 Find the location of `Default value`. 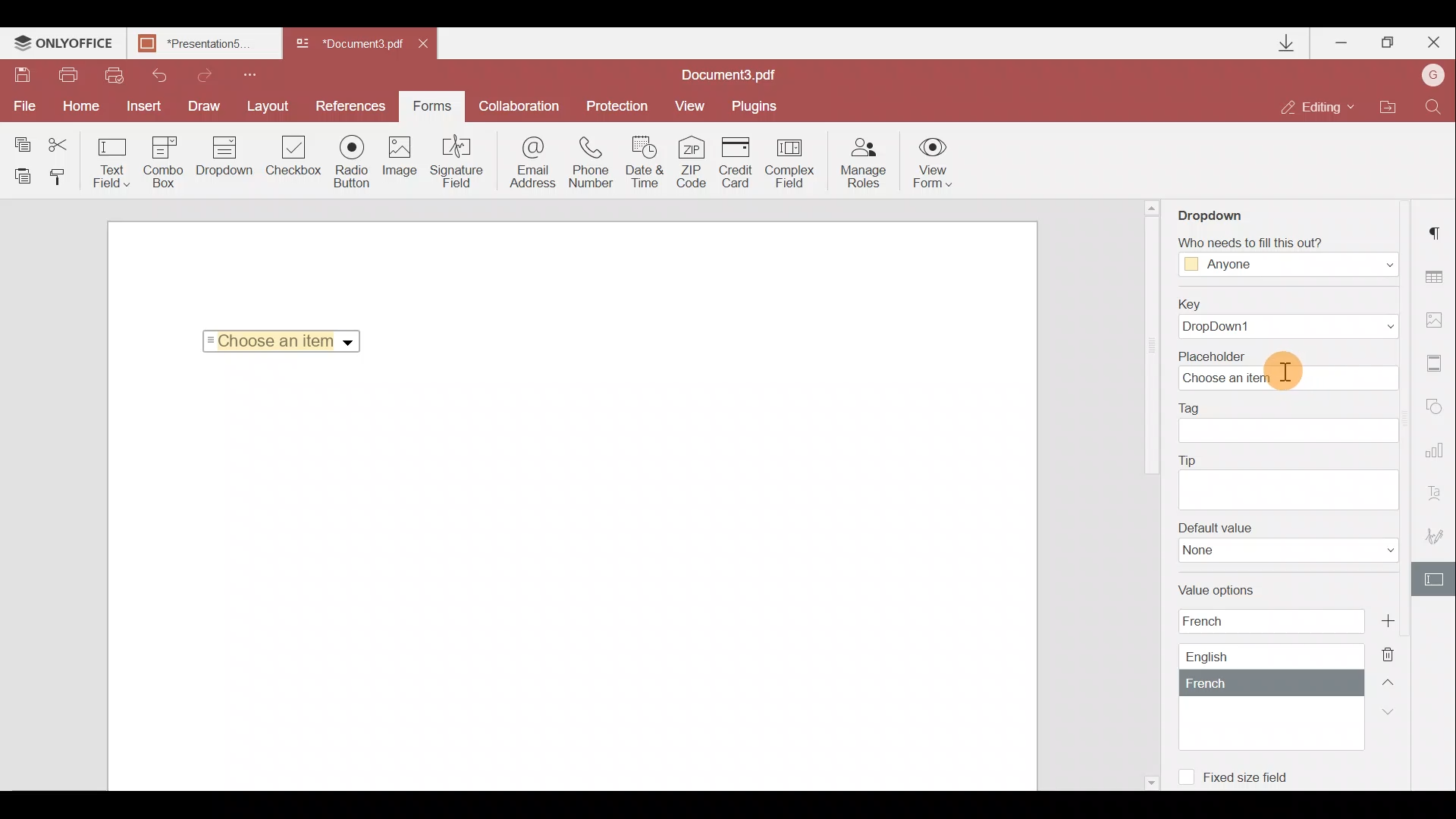

Default value is located at coordinates (1288, 542).